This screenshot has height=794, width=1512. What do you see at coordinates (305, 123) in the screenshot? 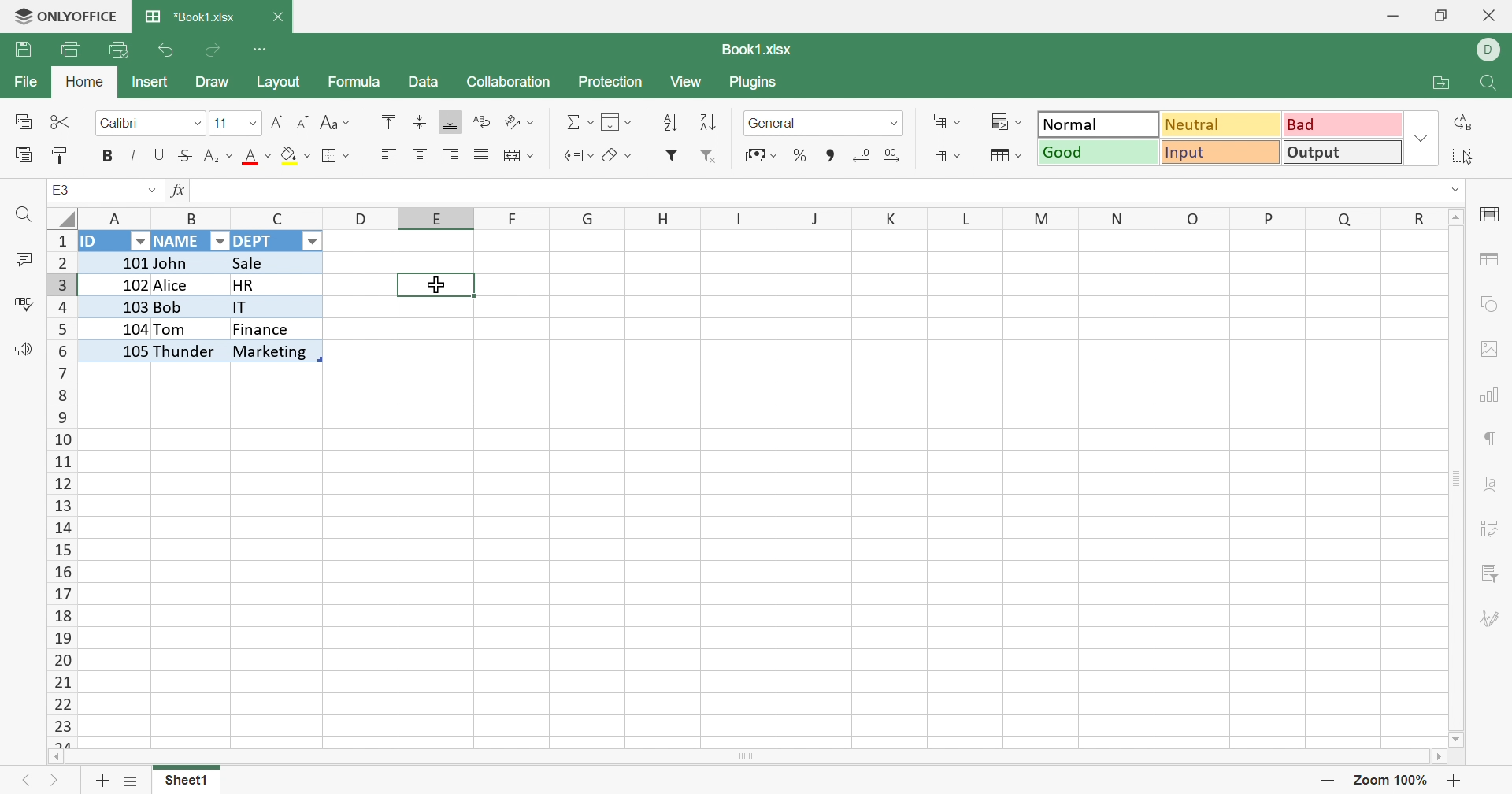
I see `Decrement font size` at bounding box center [305, 123].